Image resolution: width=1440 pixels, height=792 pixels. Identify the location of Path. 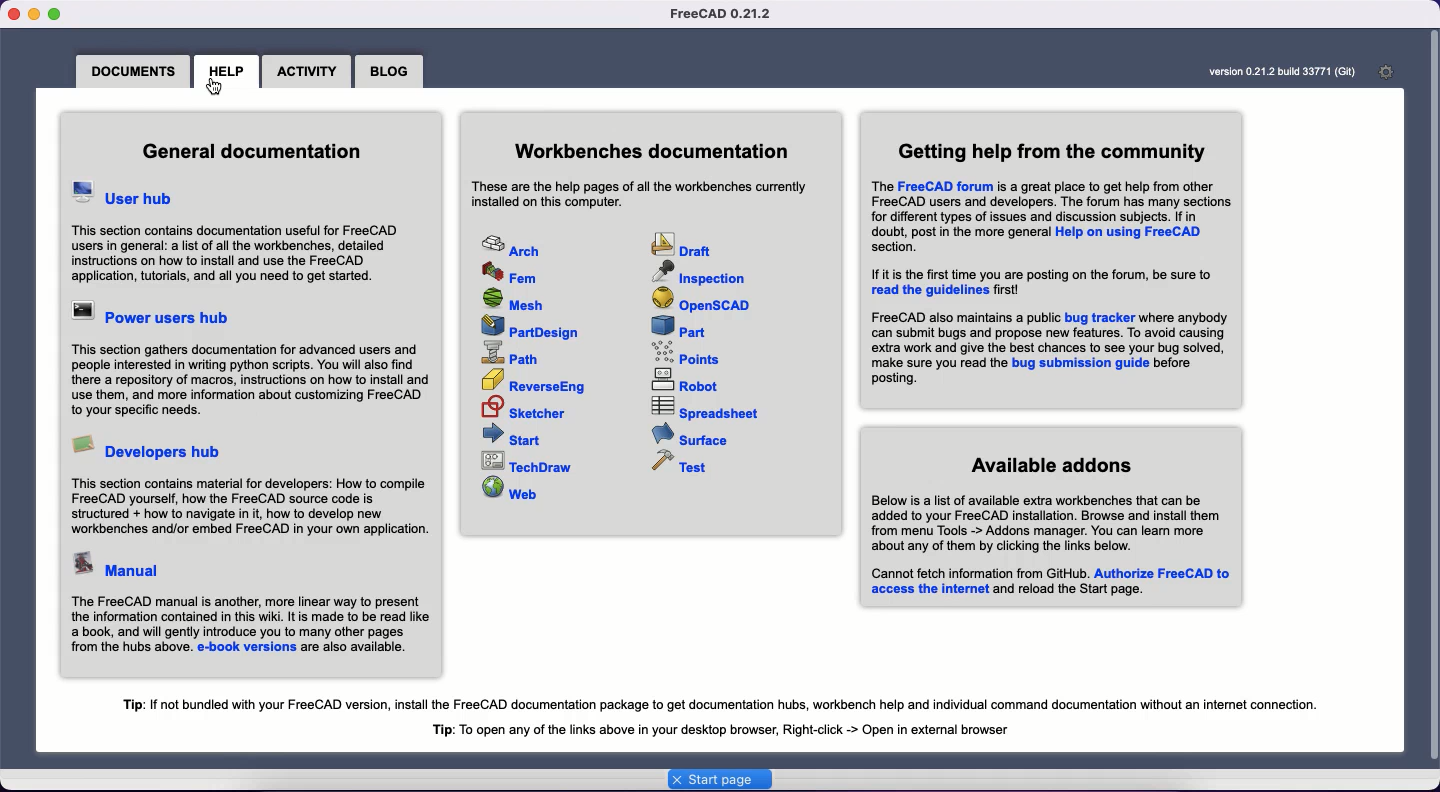
(515, 352).